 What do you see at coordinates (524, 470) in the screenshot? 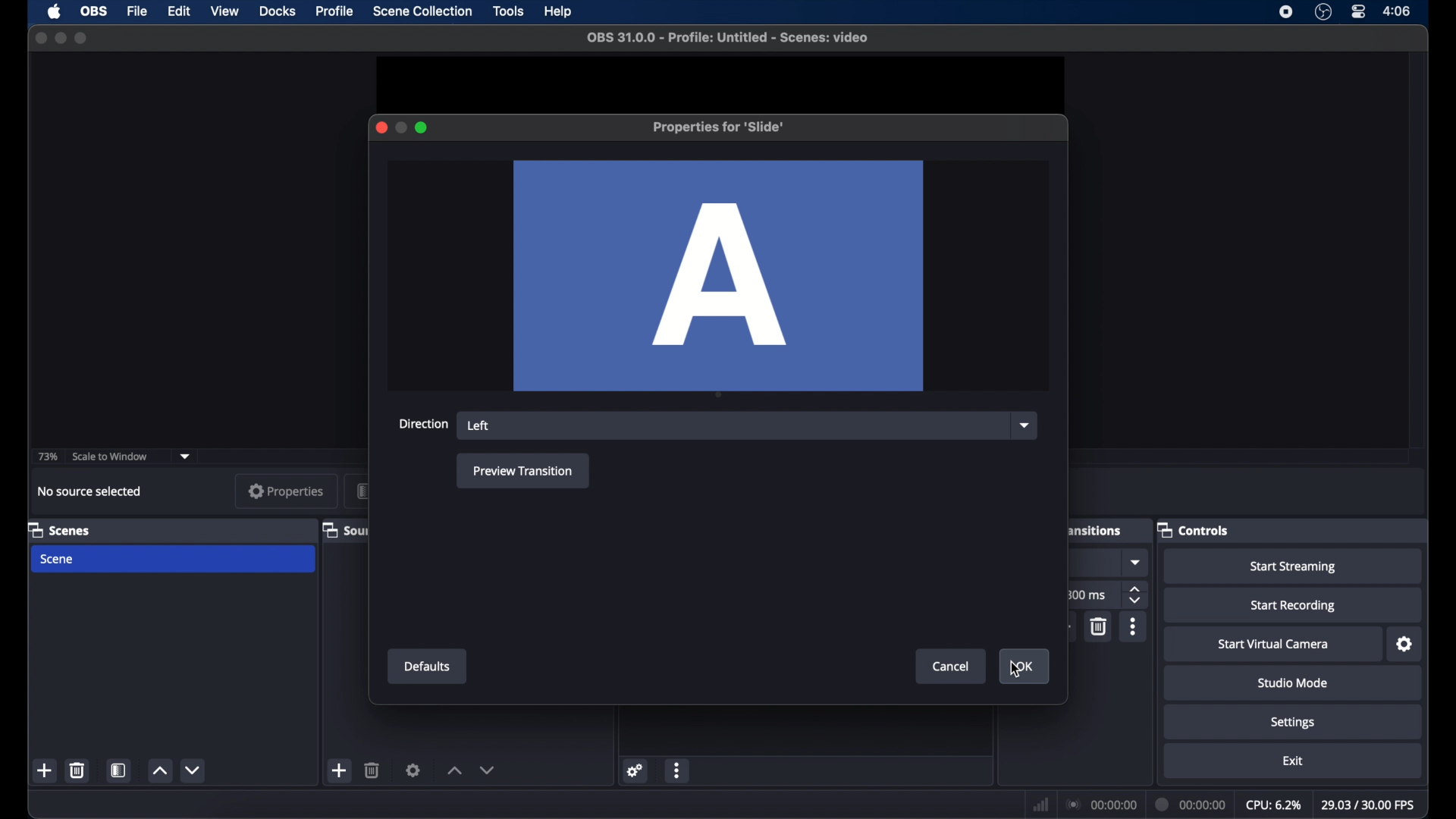
I see `preview transition` at bounding box center [524, 470].